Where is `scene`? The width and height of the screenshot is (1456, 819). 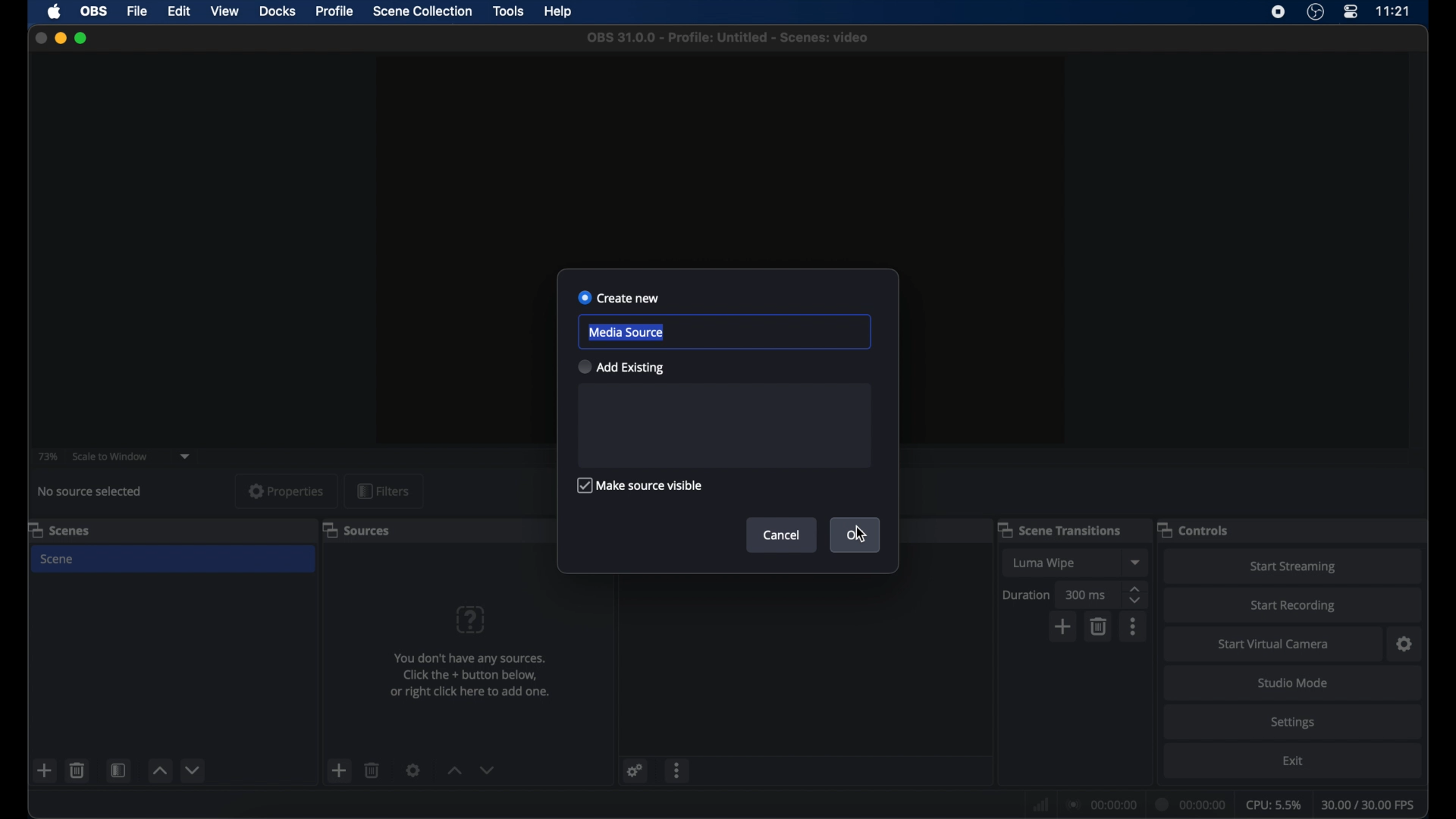 scene is located at coordinates (59, 560).